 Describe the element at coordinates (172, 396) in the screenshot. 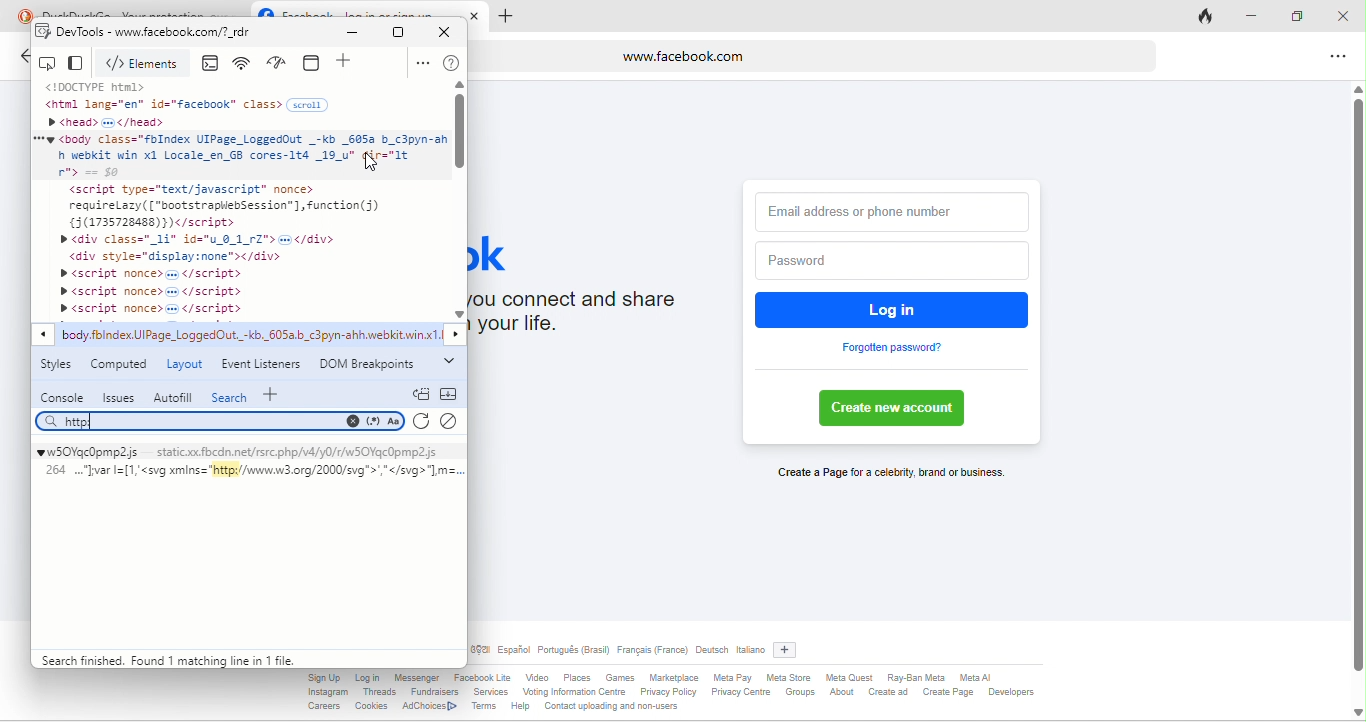

I see `autofill` at that location.